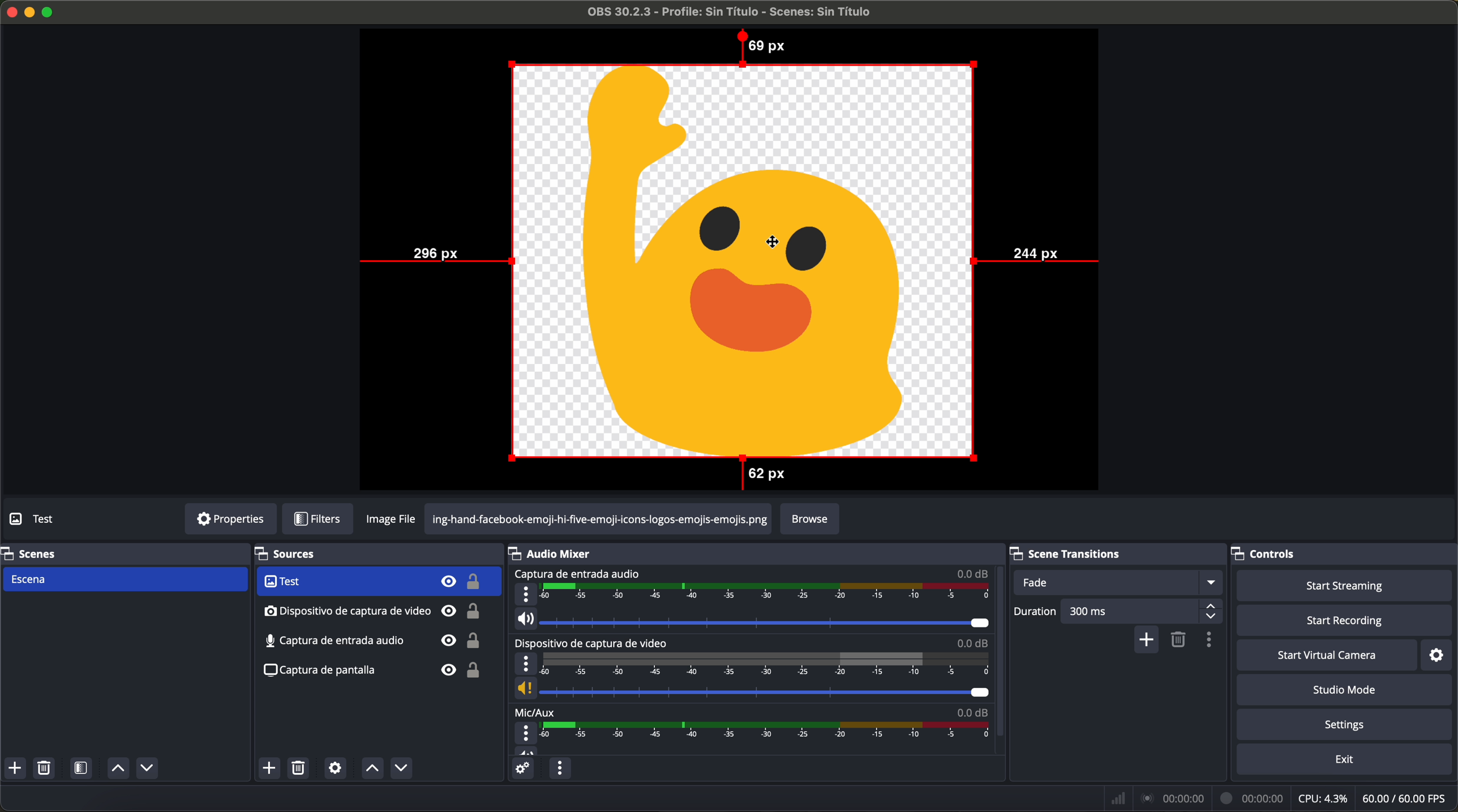 The width and height of the screenshot is (1458, 812). I want to click on move scene down, so click(147, 770).